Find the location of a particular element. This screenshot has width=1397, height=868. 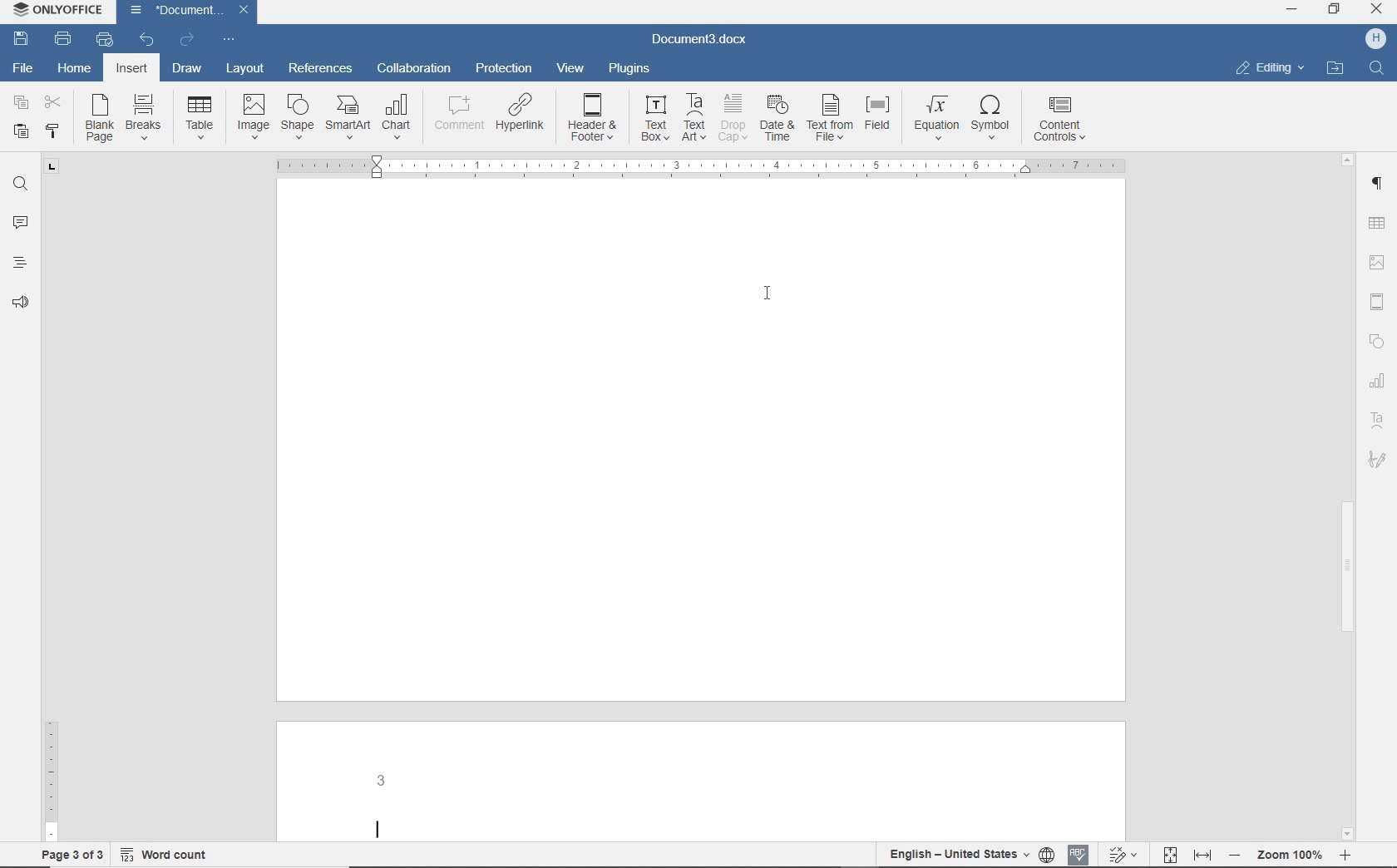

Text cursor is located at coordinates (378, 828).